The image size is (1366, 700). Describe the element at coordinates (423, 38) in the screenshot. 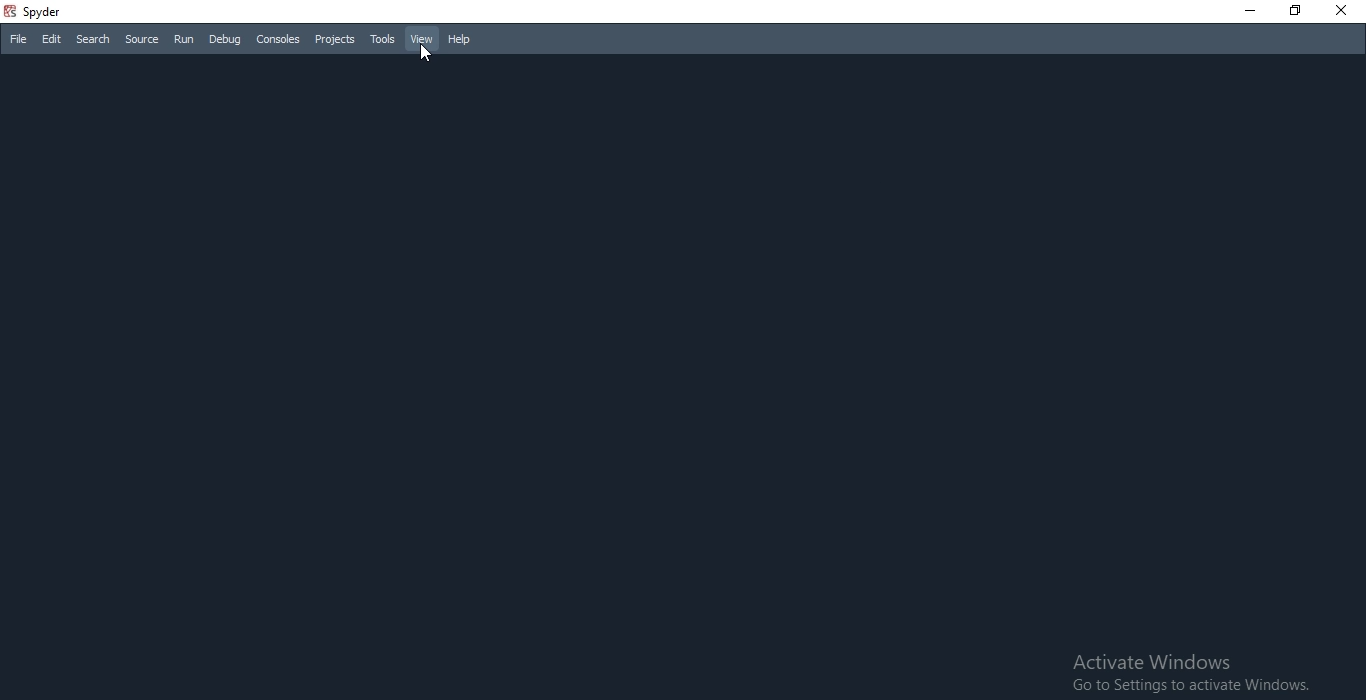

I see `View` at that location.